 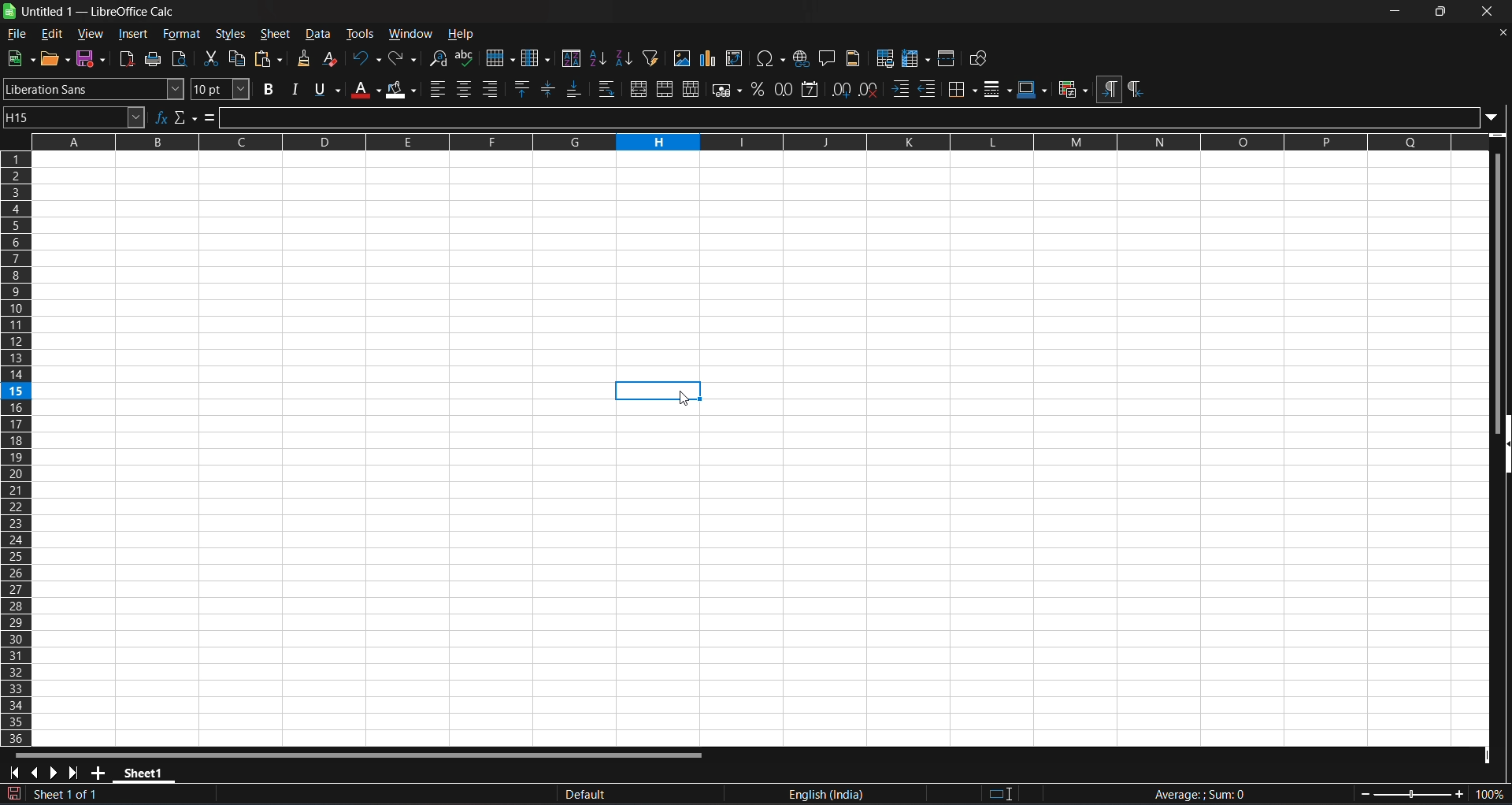 I want to click on select function, so click(x=185, y=117).